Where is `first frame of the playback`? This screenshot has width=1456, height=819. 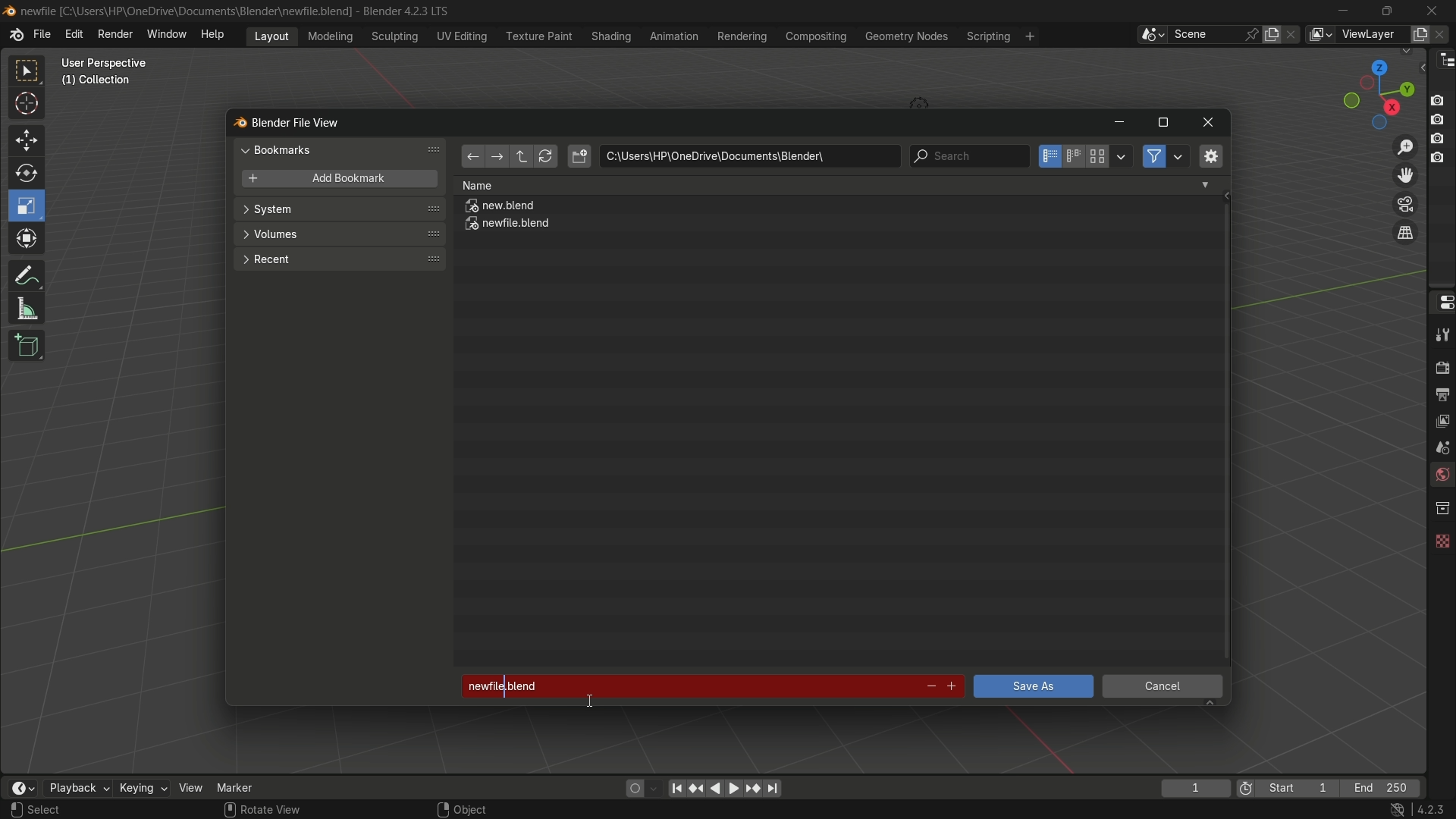
first frame of the playback is located at coordinates (1288, 788).